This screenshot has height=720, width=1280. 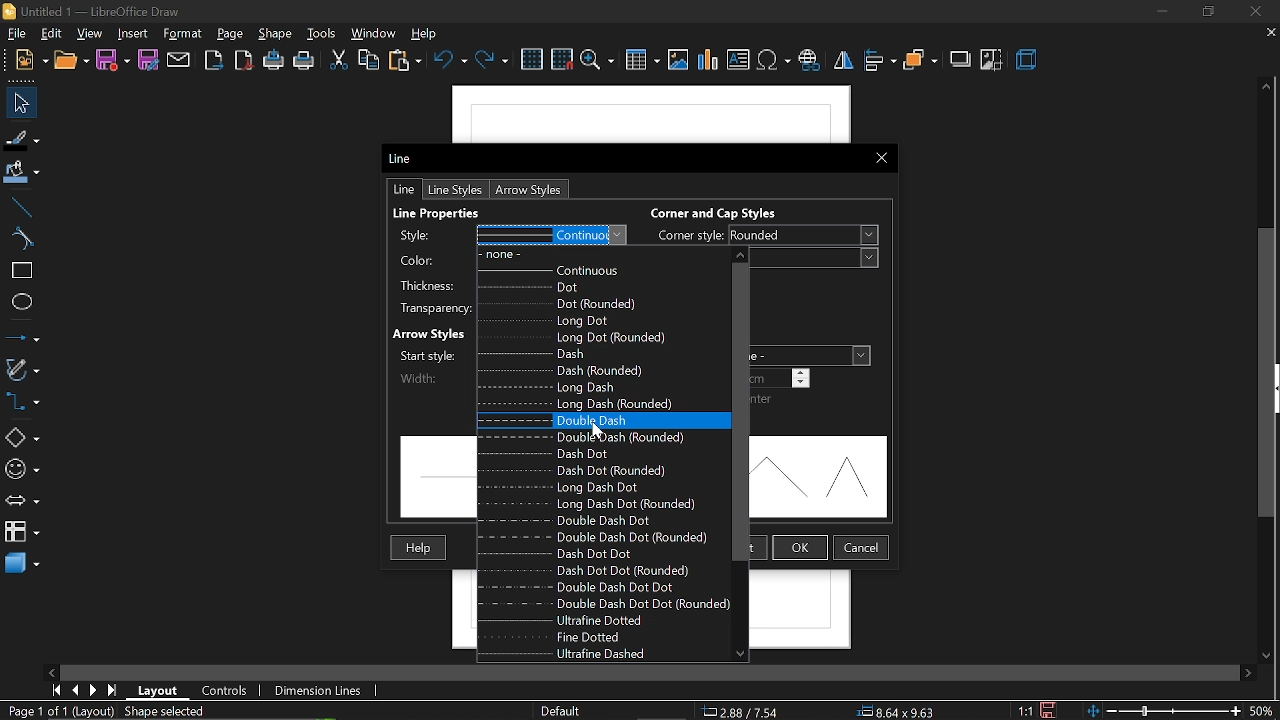 I want to click on close current tab, so click(x=1269, y=35).